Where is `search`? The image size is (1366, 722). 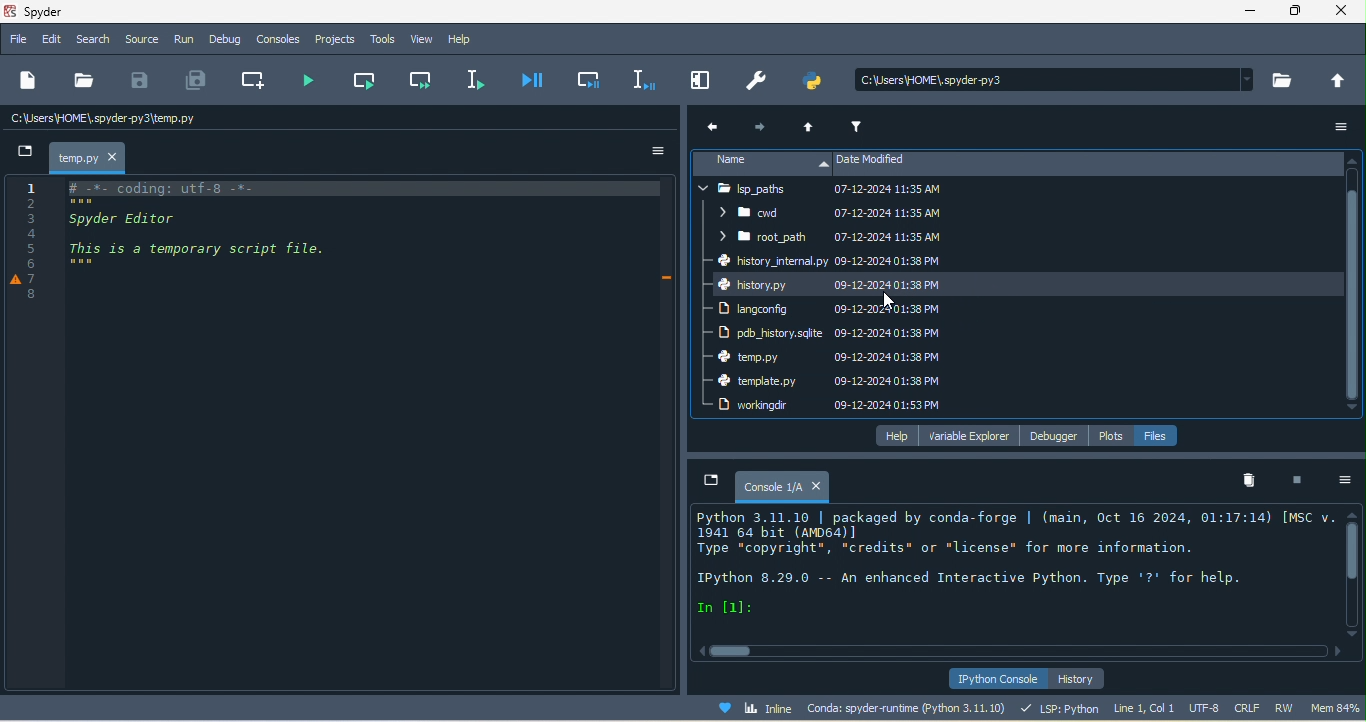 search is located at coordinates (92, 38).